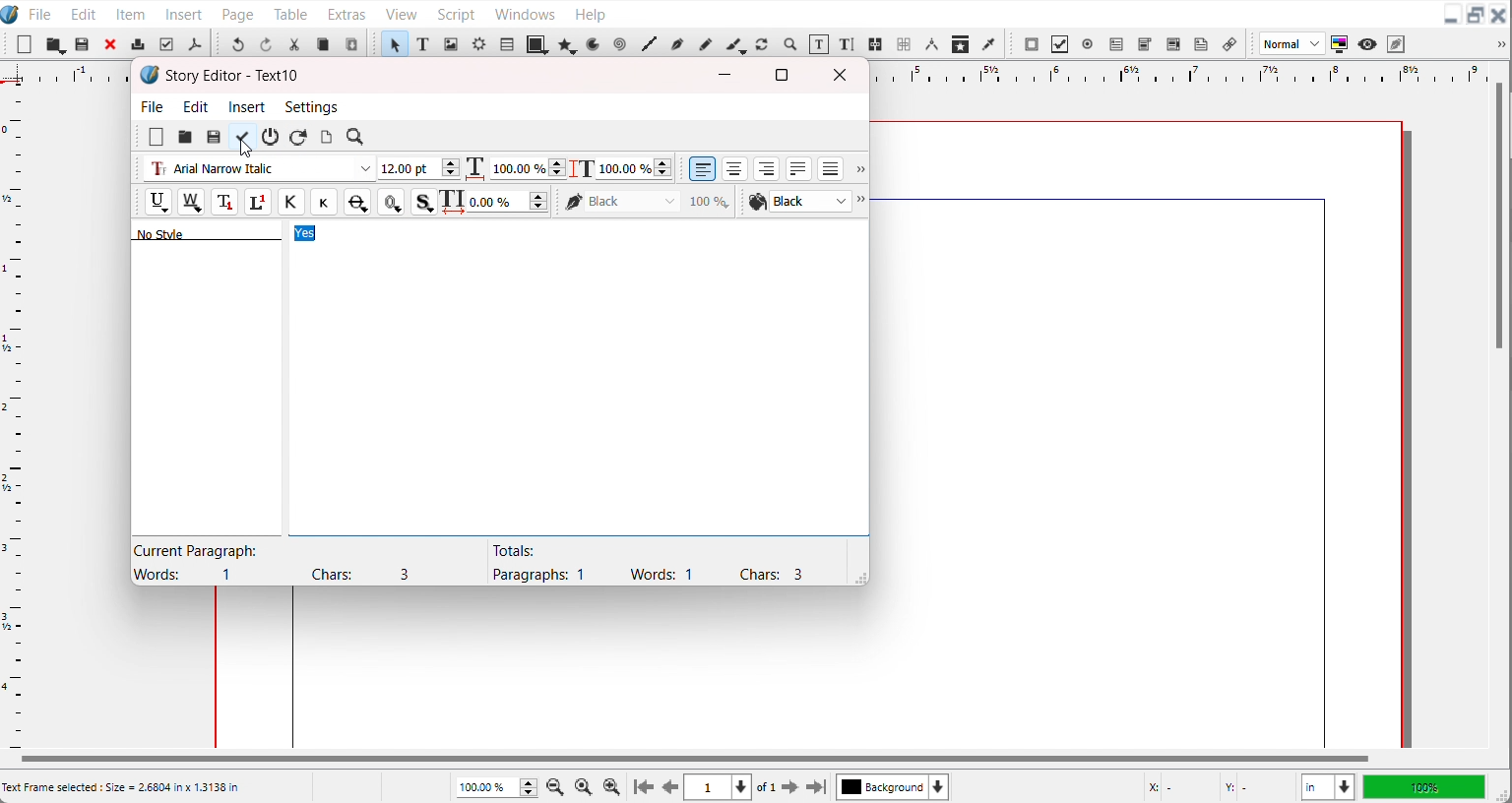 The width and height of the screenshot is (1512, 803). I want to click on Drop down box, so click(1498, 44).